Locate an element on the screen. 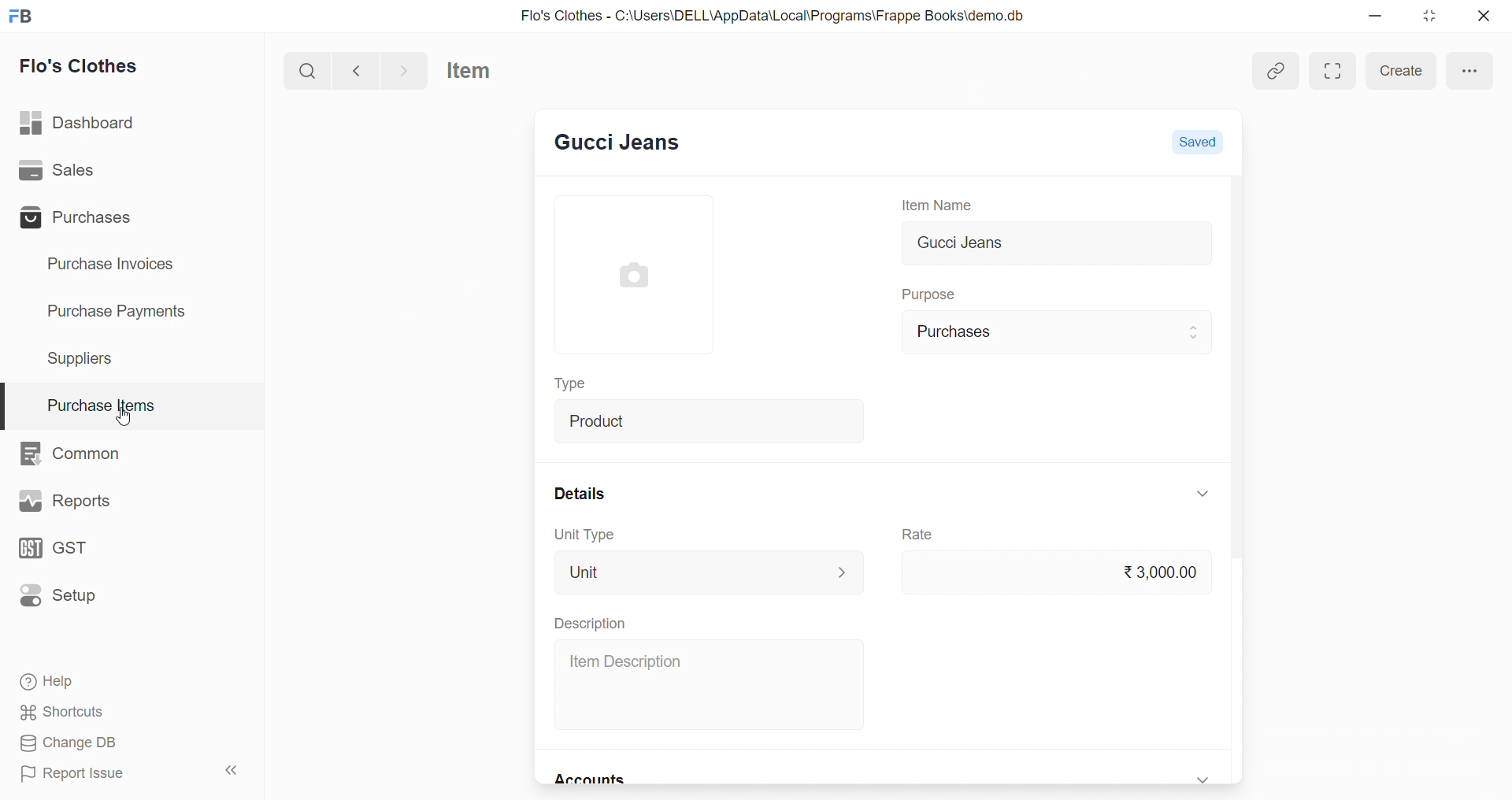 This screenshot has height=800, width=1512. Item Name is located at coordinates (941, 204).